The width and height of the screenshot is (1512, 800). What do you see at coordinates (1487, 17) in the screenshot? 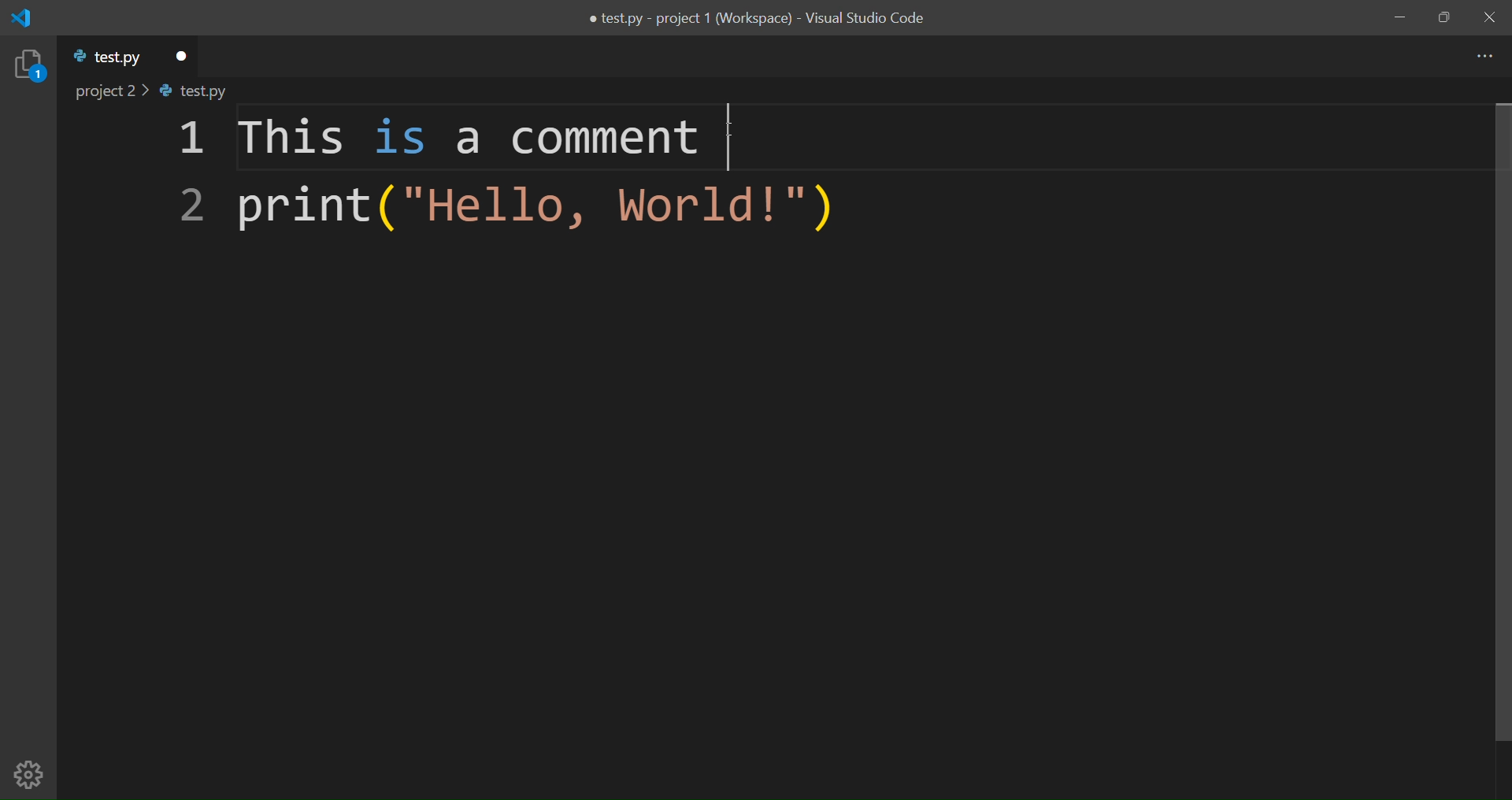
I see `close` at bounding box center [1487, 17].